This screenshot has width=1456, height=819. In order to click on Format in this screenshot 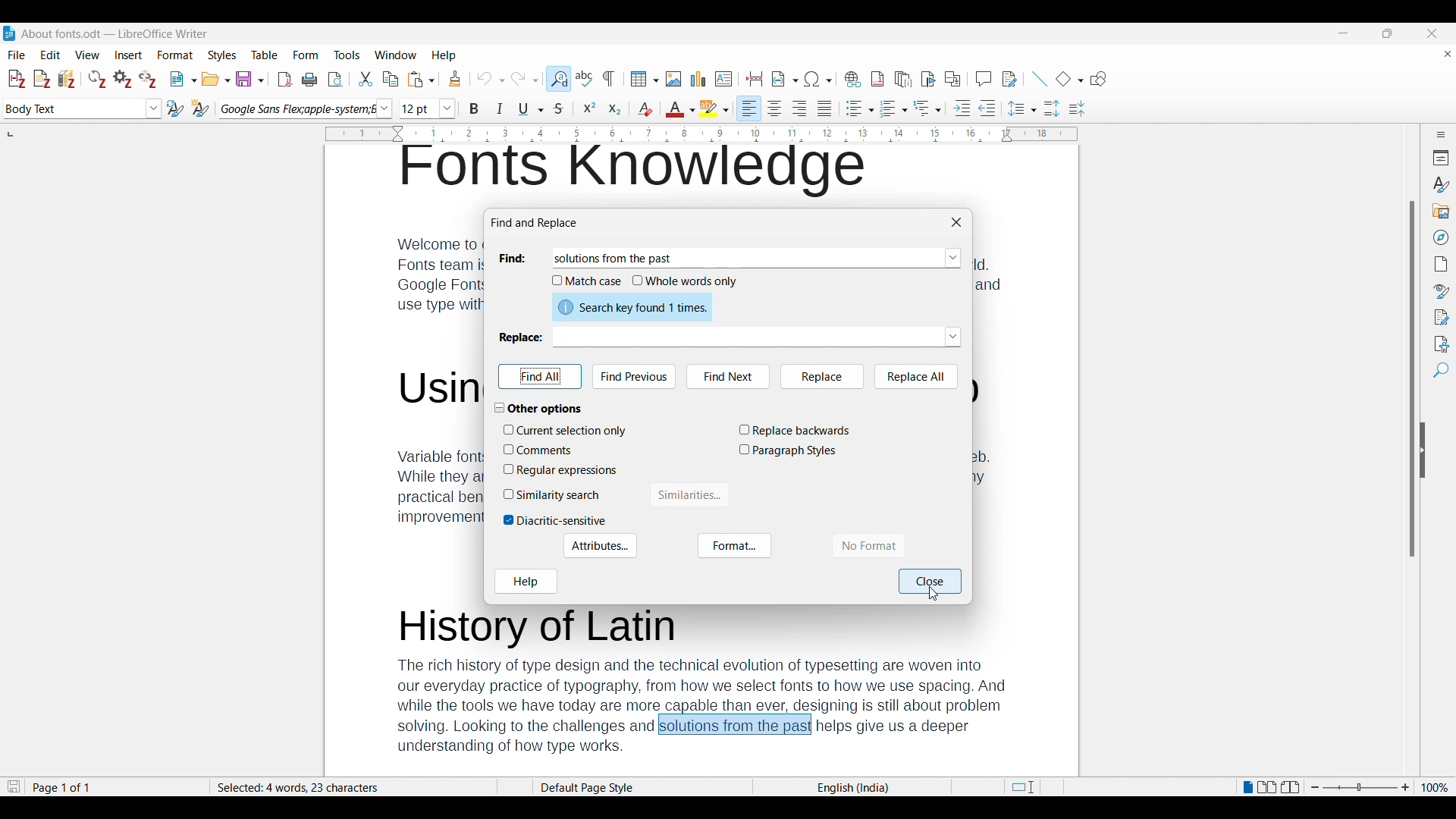, I will do `click(735, 545)`.